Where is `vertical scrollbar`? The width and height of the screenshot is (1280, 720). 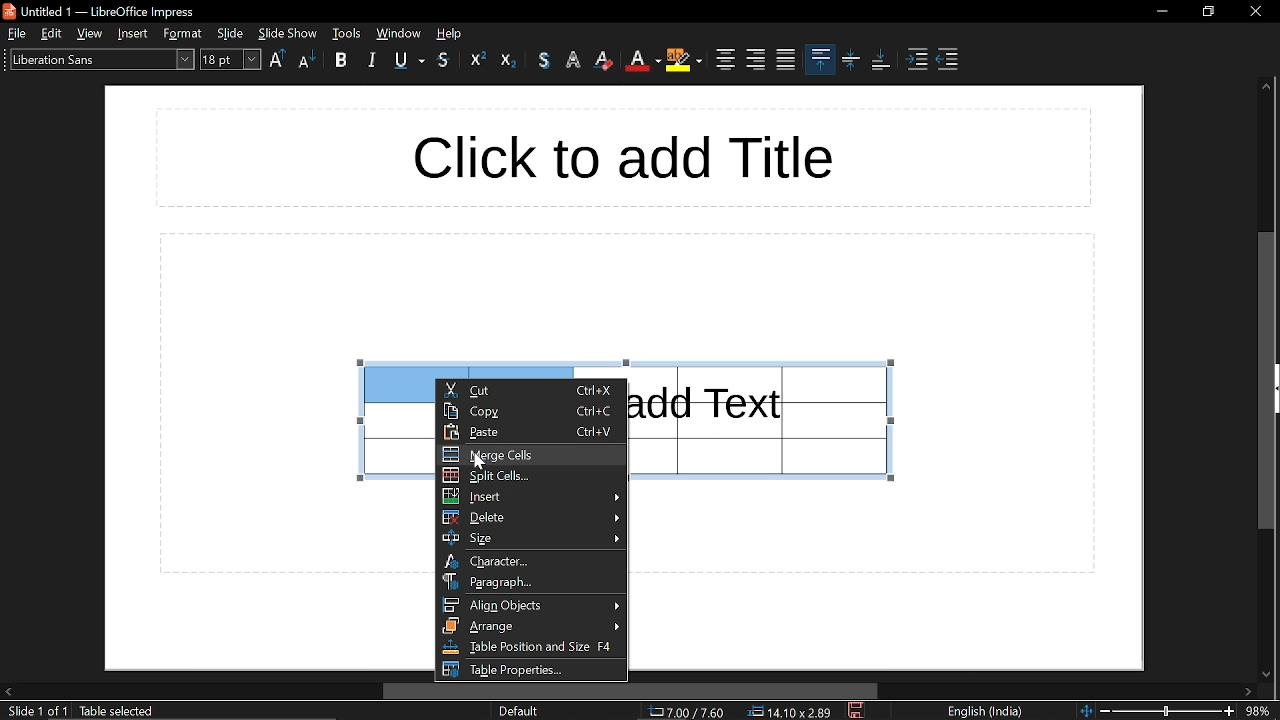
vertical scrollbar is located at coordinates (1264, 380).